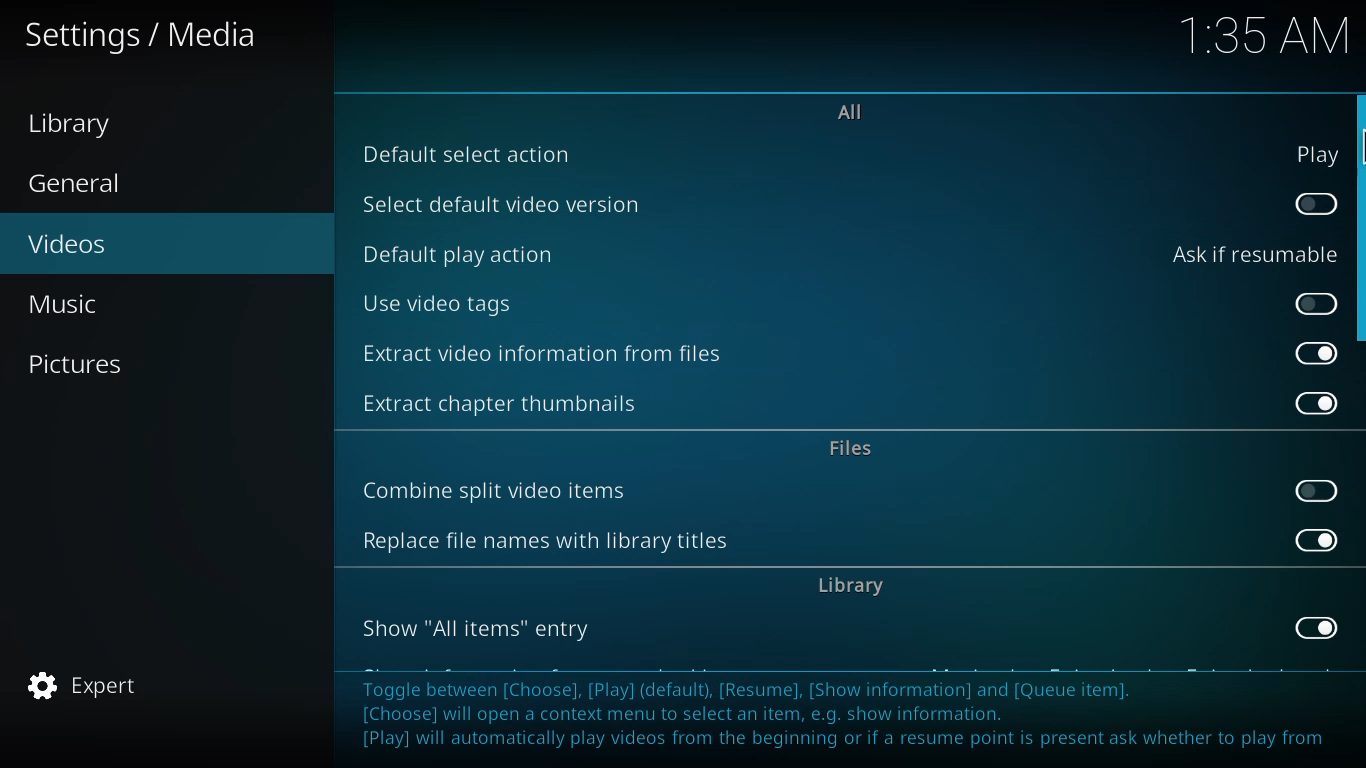 This screenshot has height=768, width=1366. Describe the element at coordinates (505, 202) in the screenshot. I see `select default video version` at that location.